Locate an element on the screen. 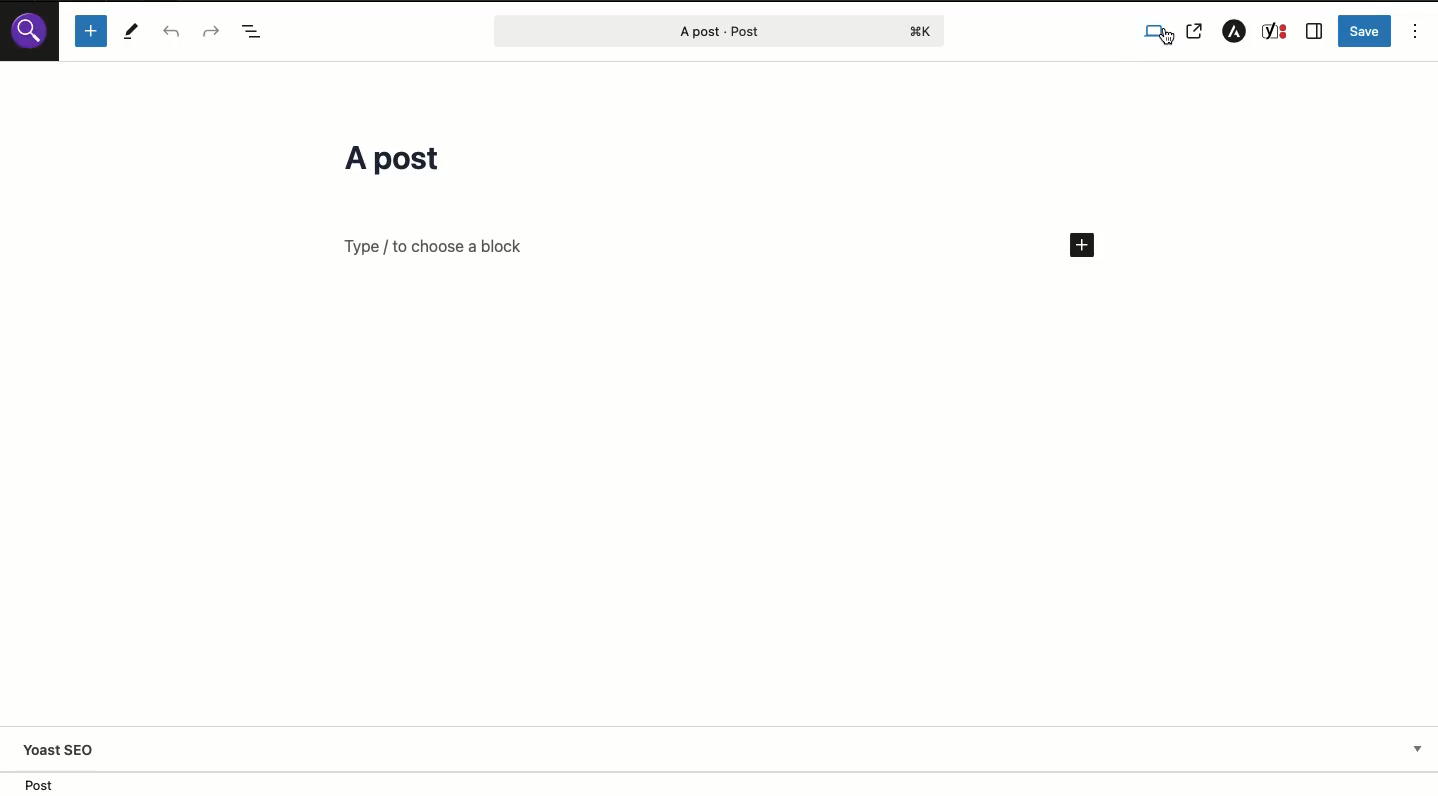 This screenshot has width=1438, height=796. View post is located at coordinates (1198, 31).